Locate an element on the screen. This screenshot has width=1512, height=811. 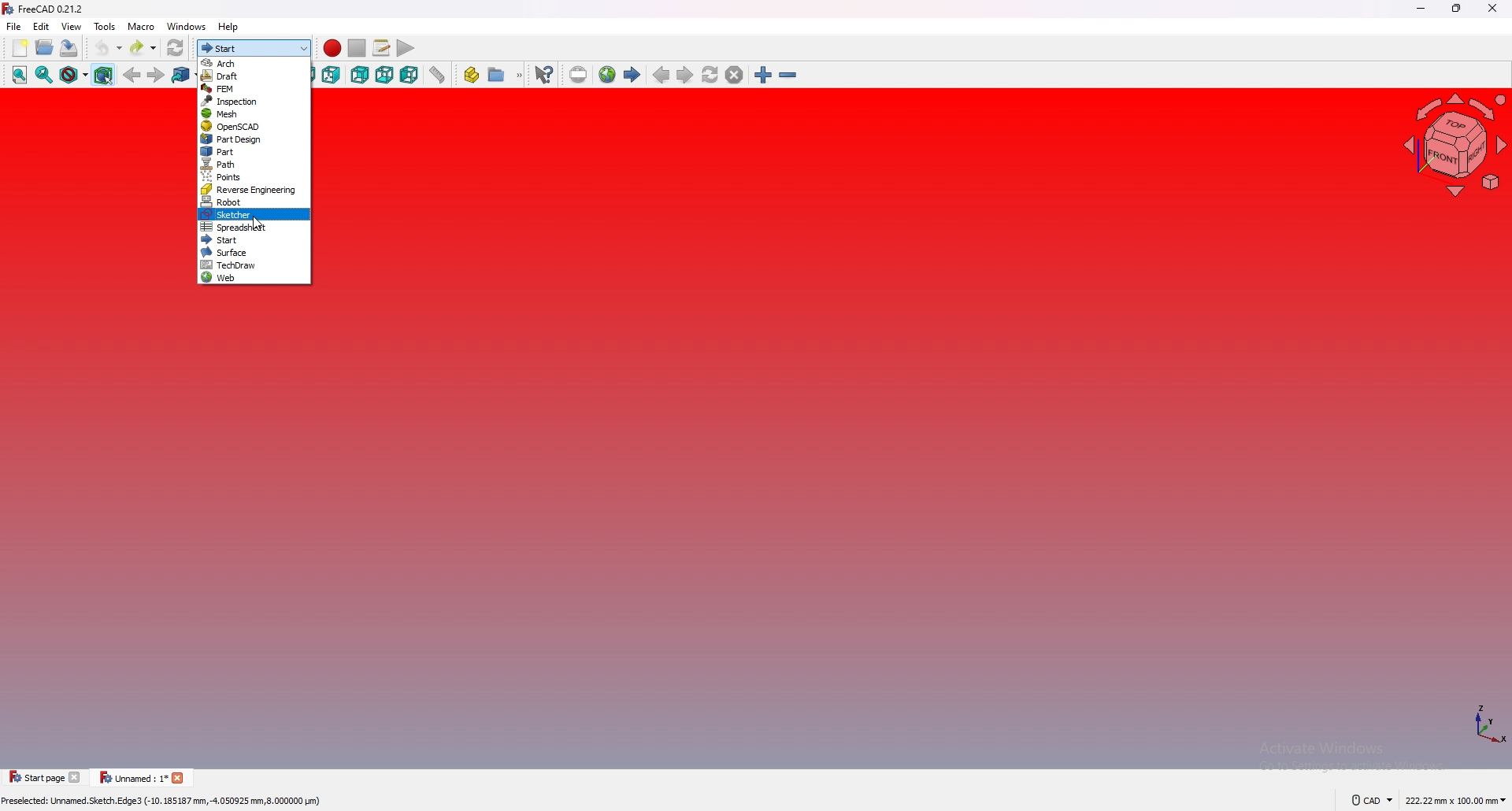
robot is located at coordinates (254, 200).